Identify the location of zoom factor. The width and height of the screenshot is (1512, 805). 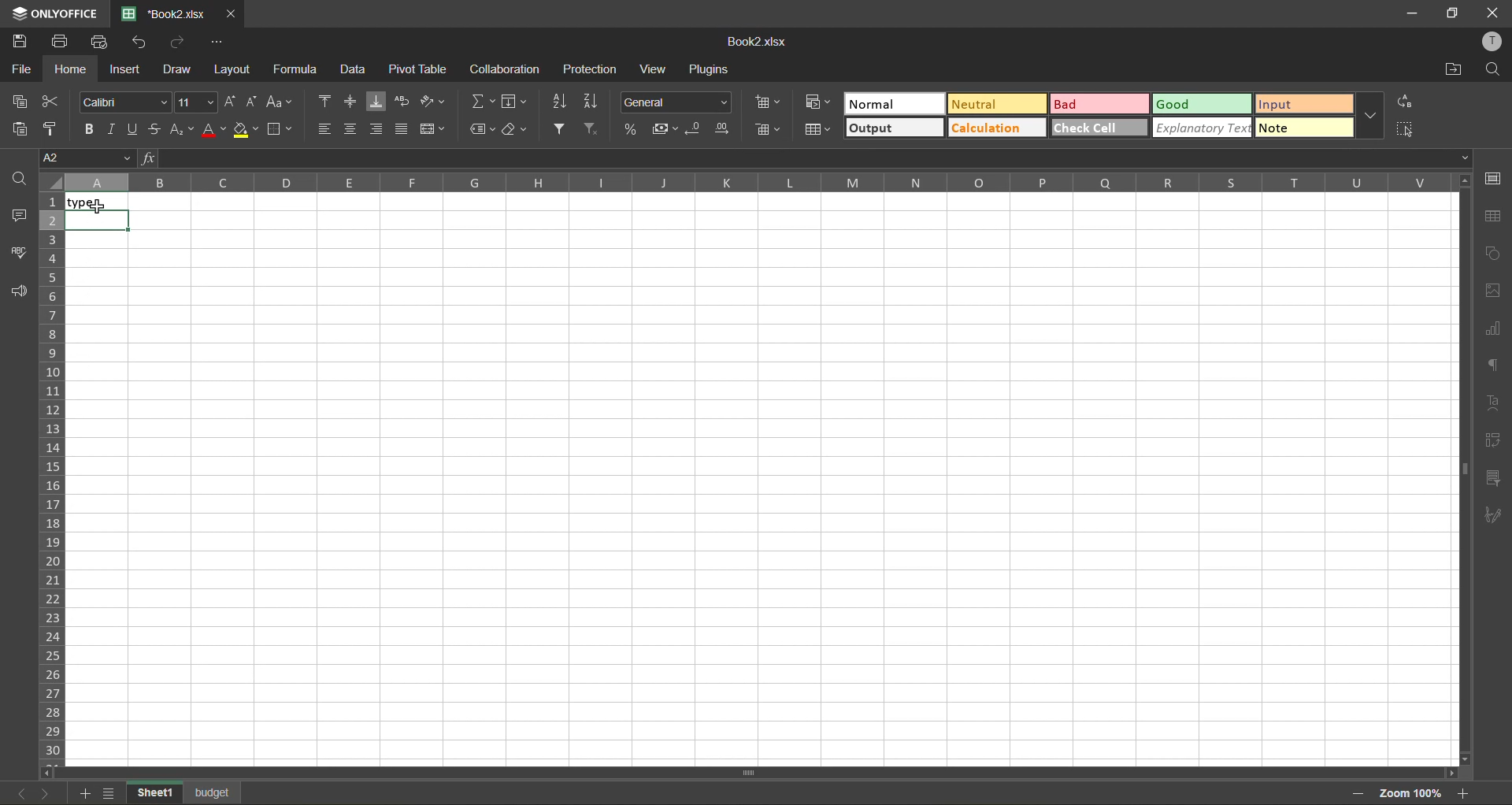
(1408, 793).